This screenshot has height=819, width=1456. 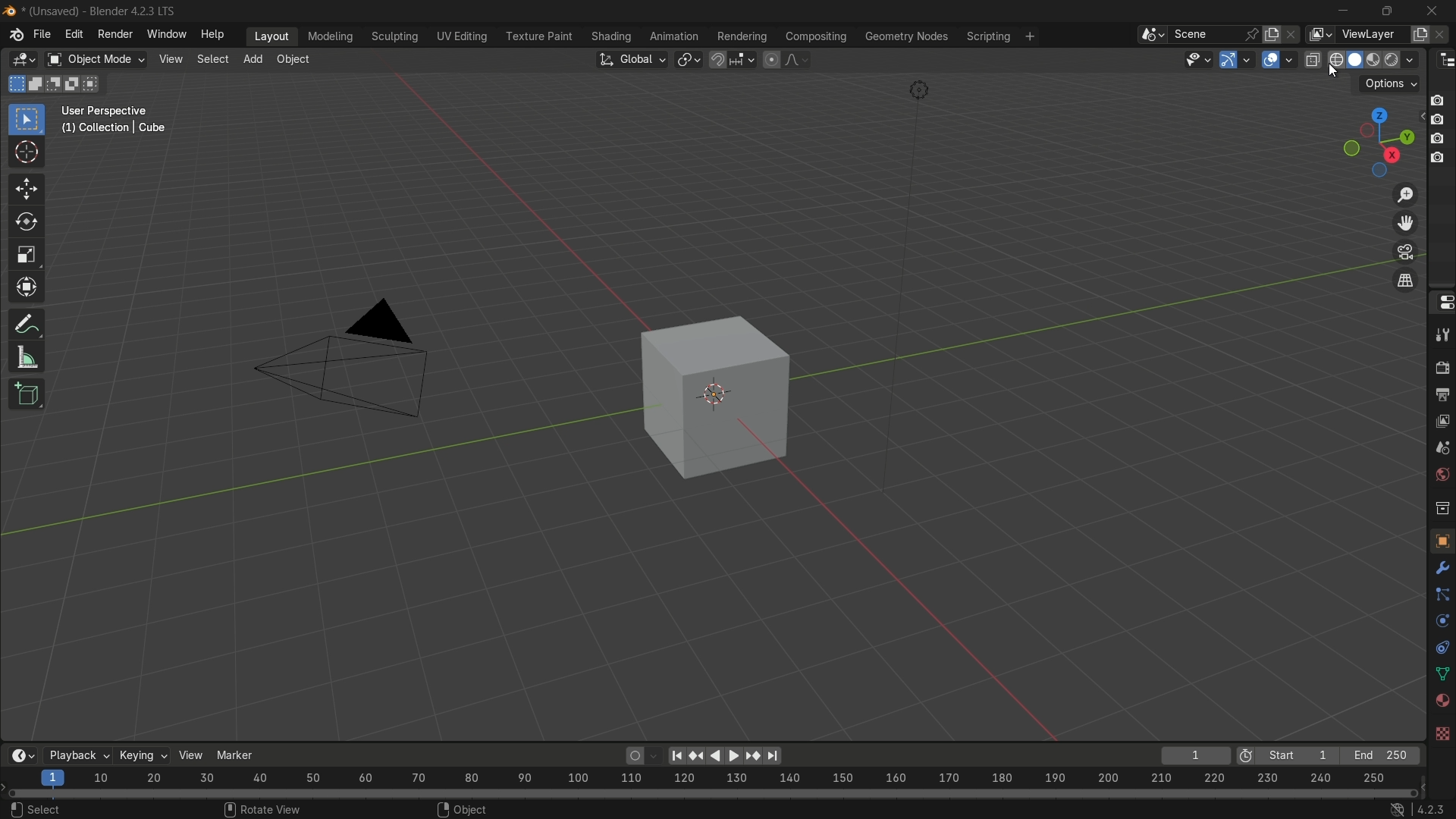 I want to click on show gizmo, so click(x=1237, y=61).